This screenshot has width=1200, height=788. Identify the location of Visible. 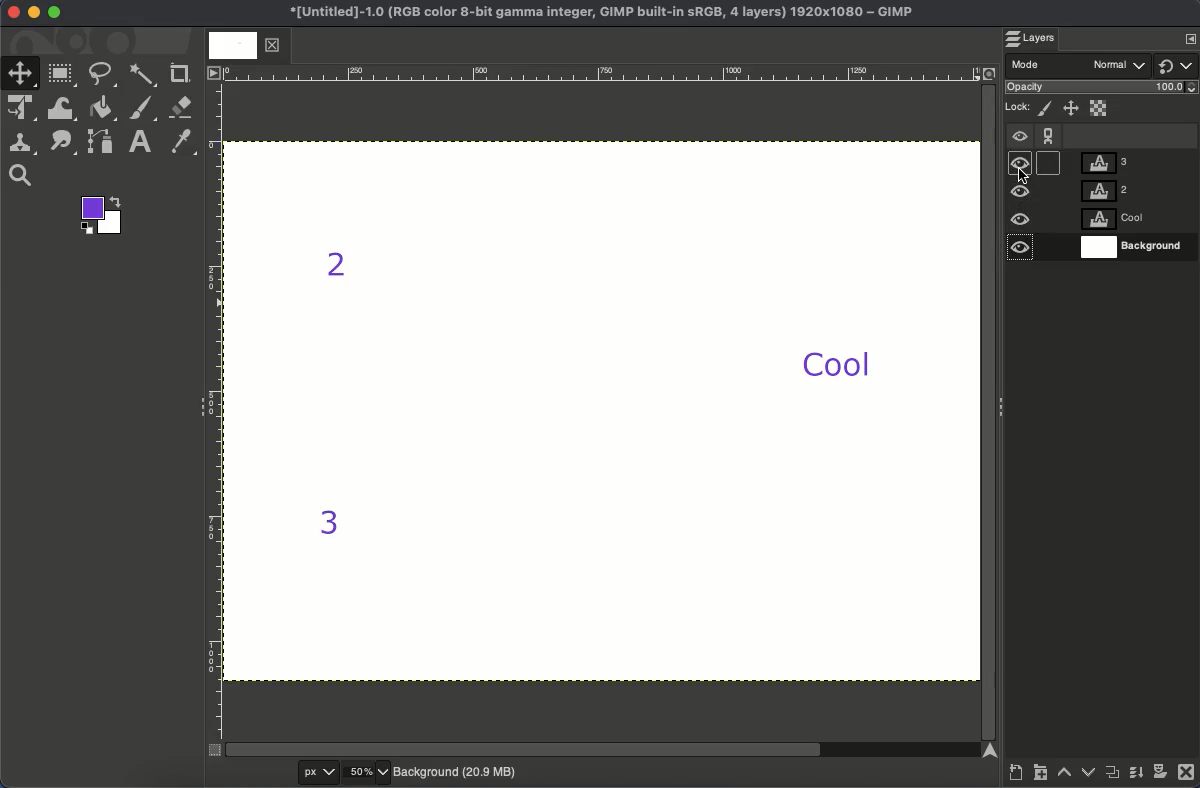
(1021, 192).